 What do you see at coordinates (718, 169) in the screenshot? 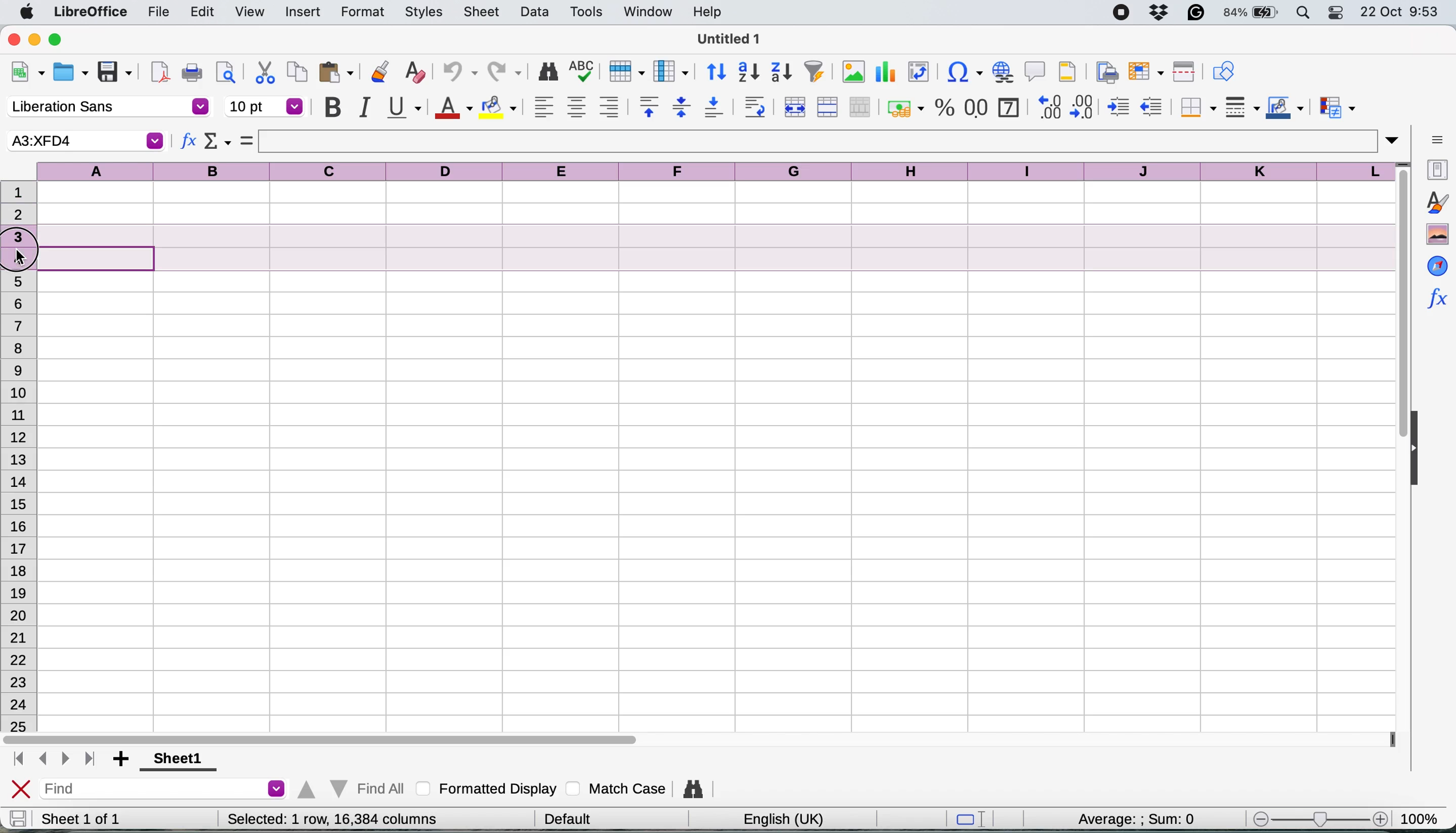
I see `columns` at bounding box center [718, 169].